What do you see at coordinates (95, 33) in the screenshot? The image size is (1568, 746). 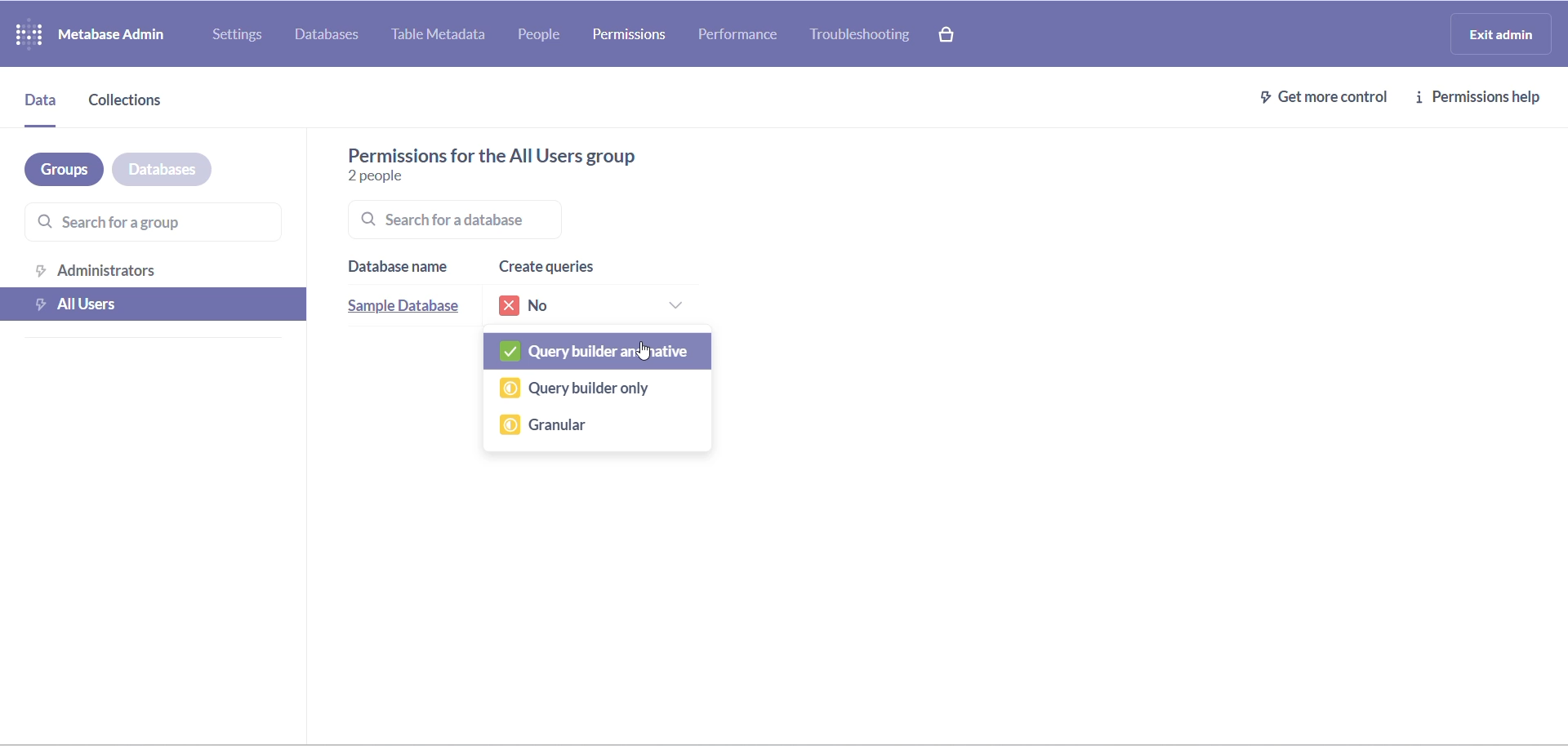 I see `logo and name` at bounding box center [95, 33].